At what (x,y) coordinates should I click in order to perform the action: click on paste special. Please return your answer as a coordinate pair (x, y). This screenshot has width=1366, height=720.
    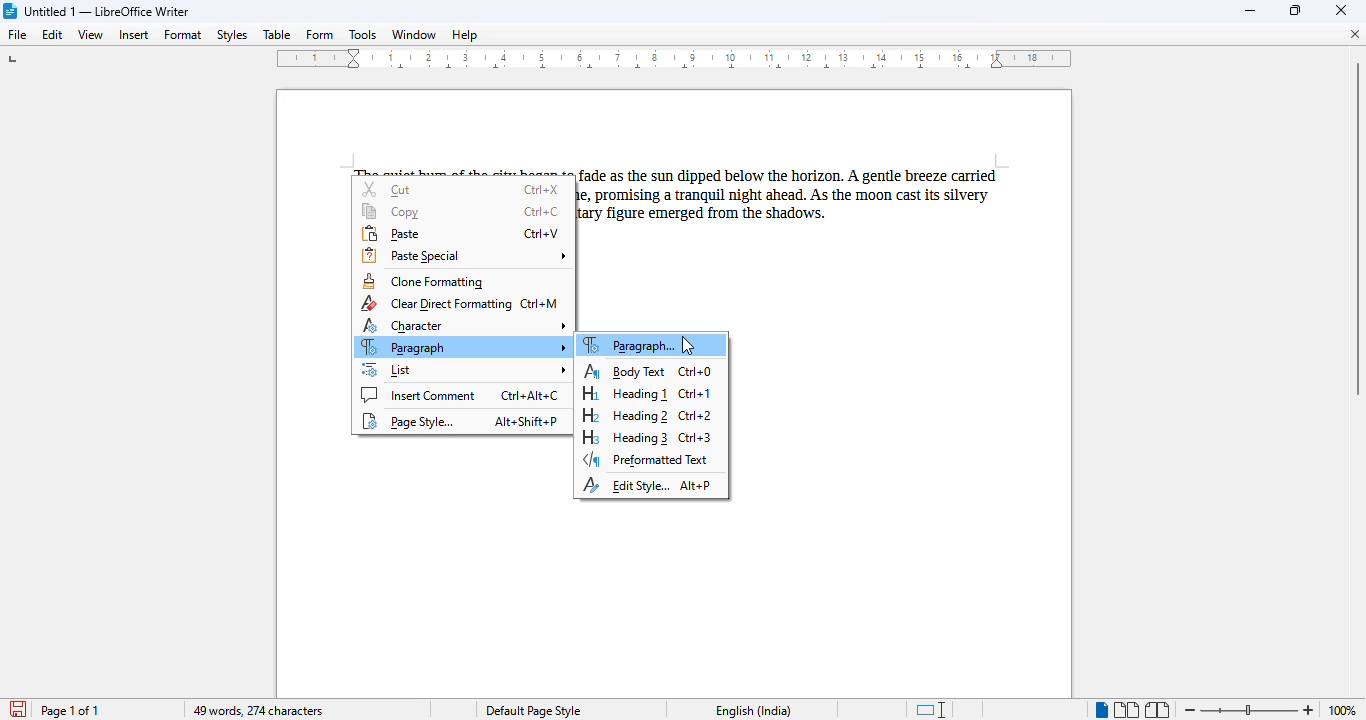
    Looking at the image, I should click on (463, 255).